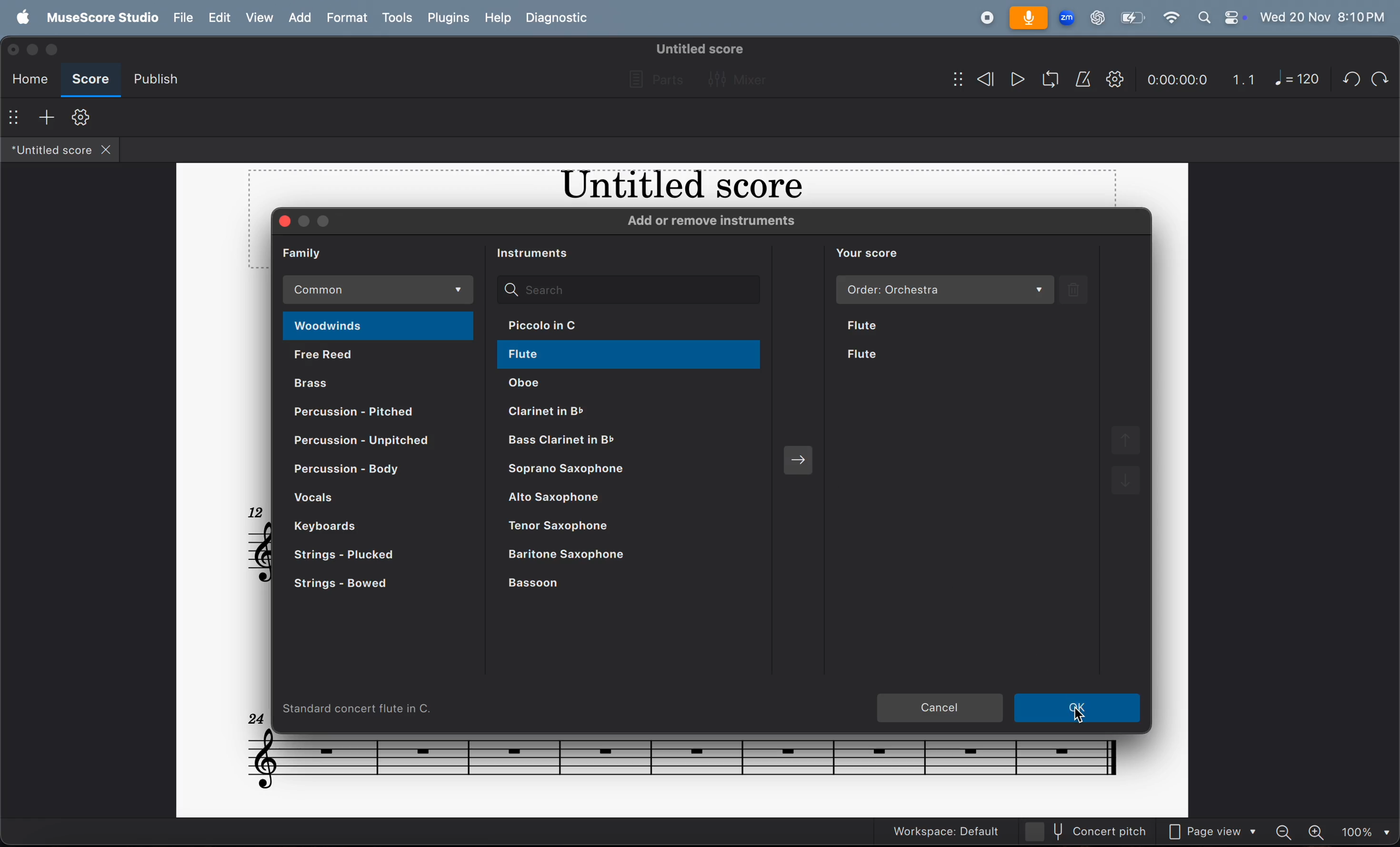 Image resolution: width=1400 pixels, height=847 pixels. I want to click on wifi, so click(1170, 17).